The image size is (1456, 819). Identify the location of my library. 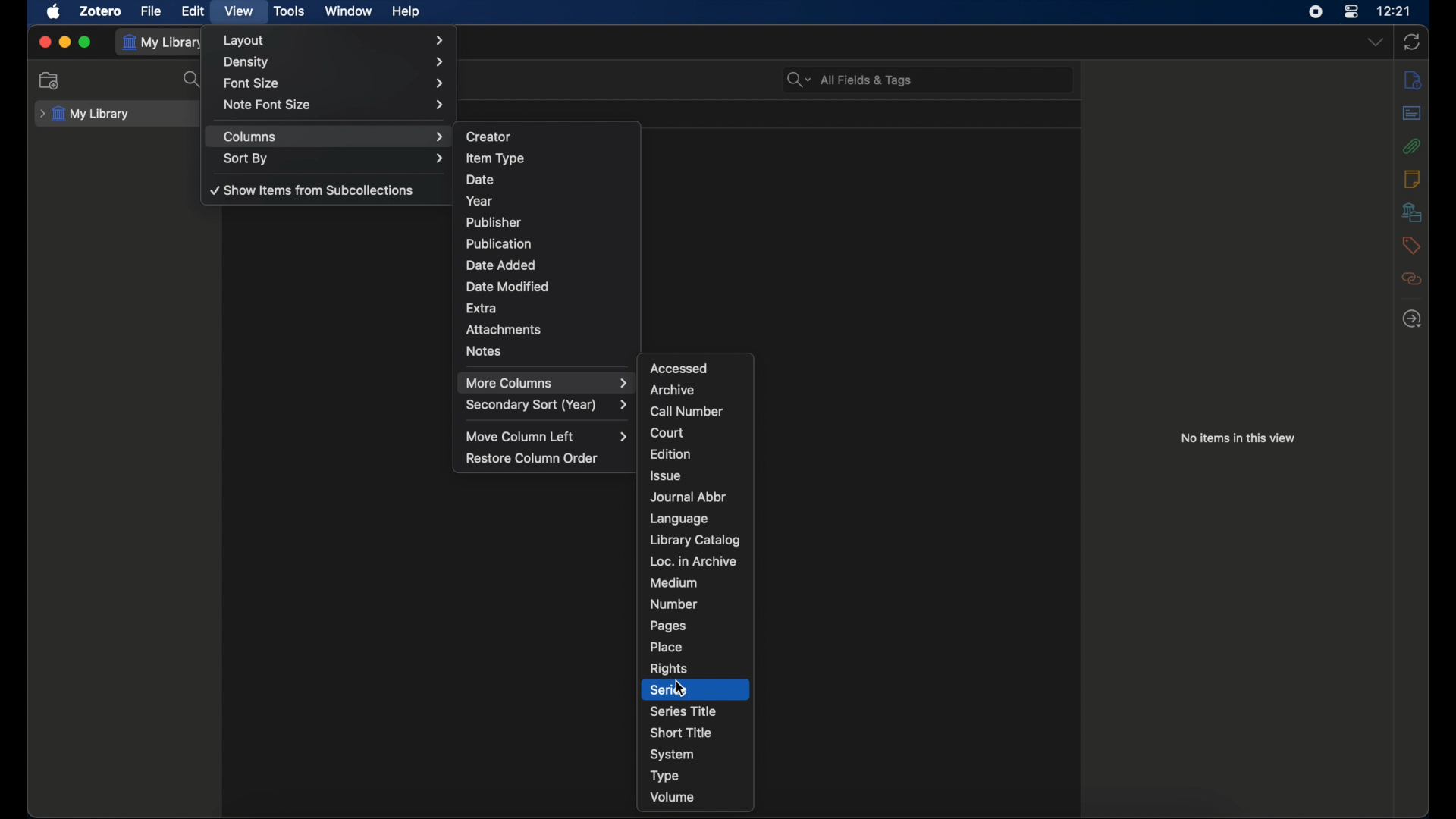
(83, 115).